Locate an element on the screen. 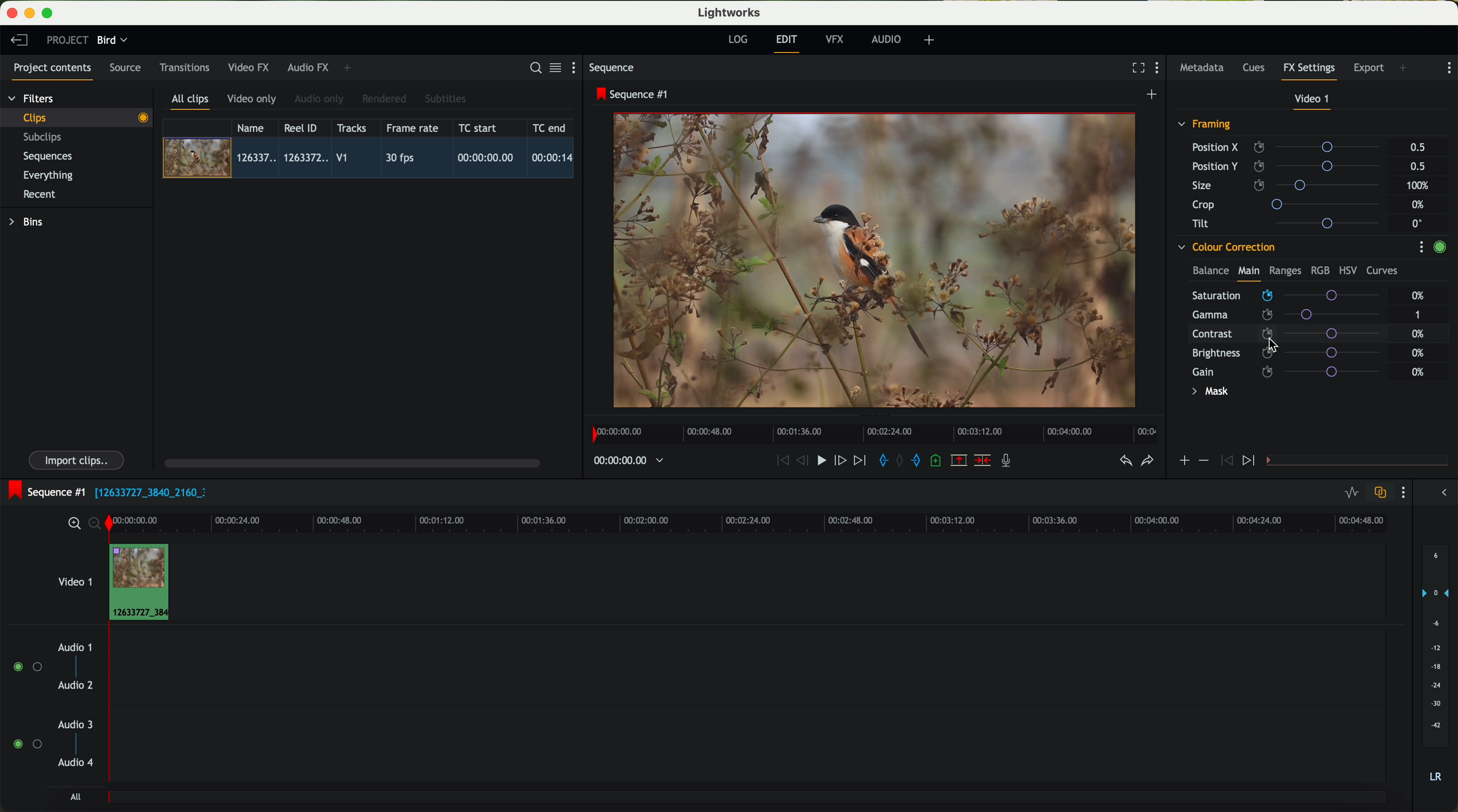 This screenshot has width=1458, height=812. sequence #1 is located at coordinates (44, 492).